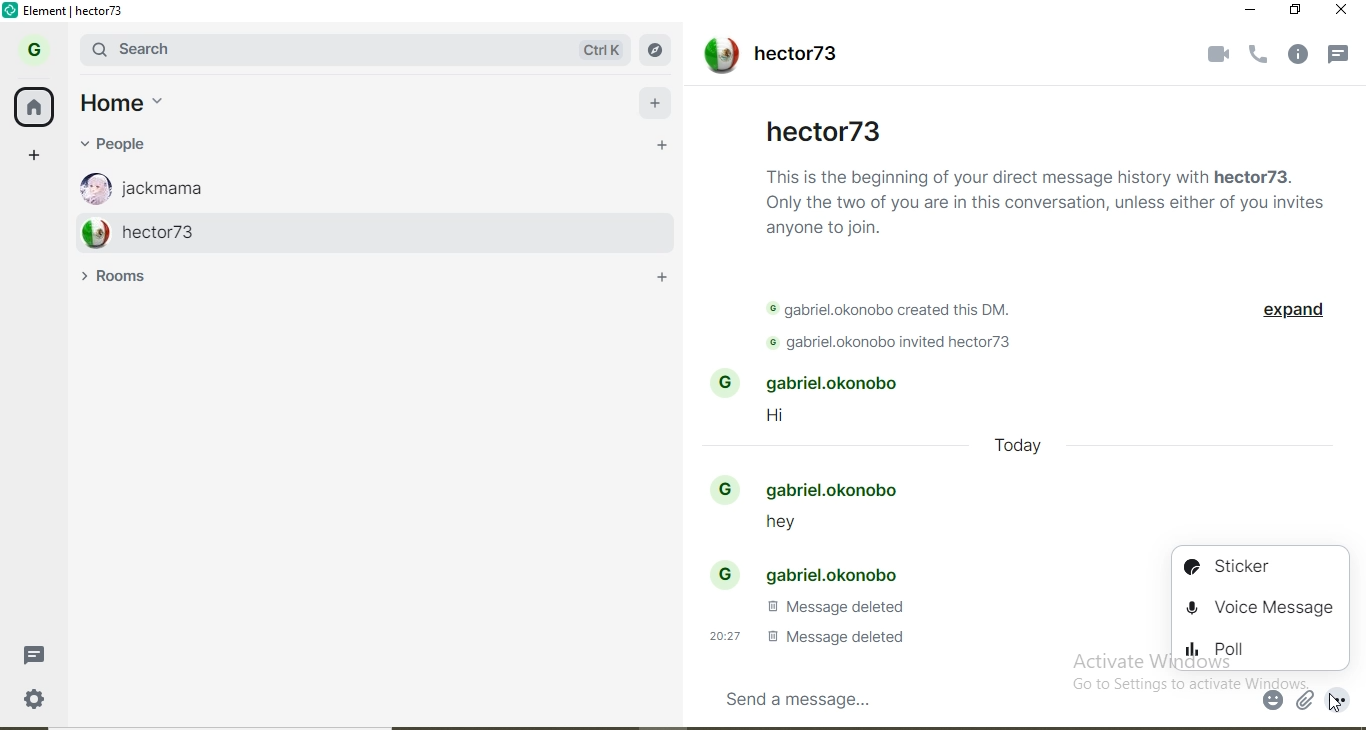  Describe the element at coordinates (35, 104) in the screenshot. I see `home` at that location.